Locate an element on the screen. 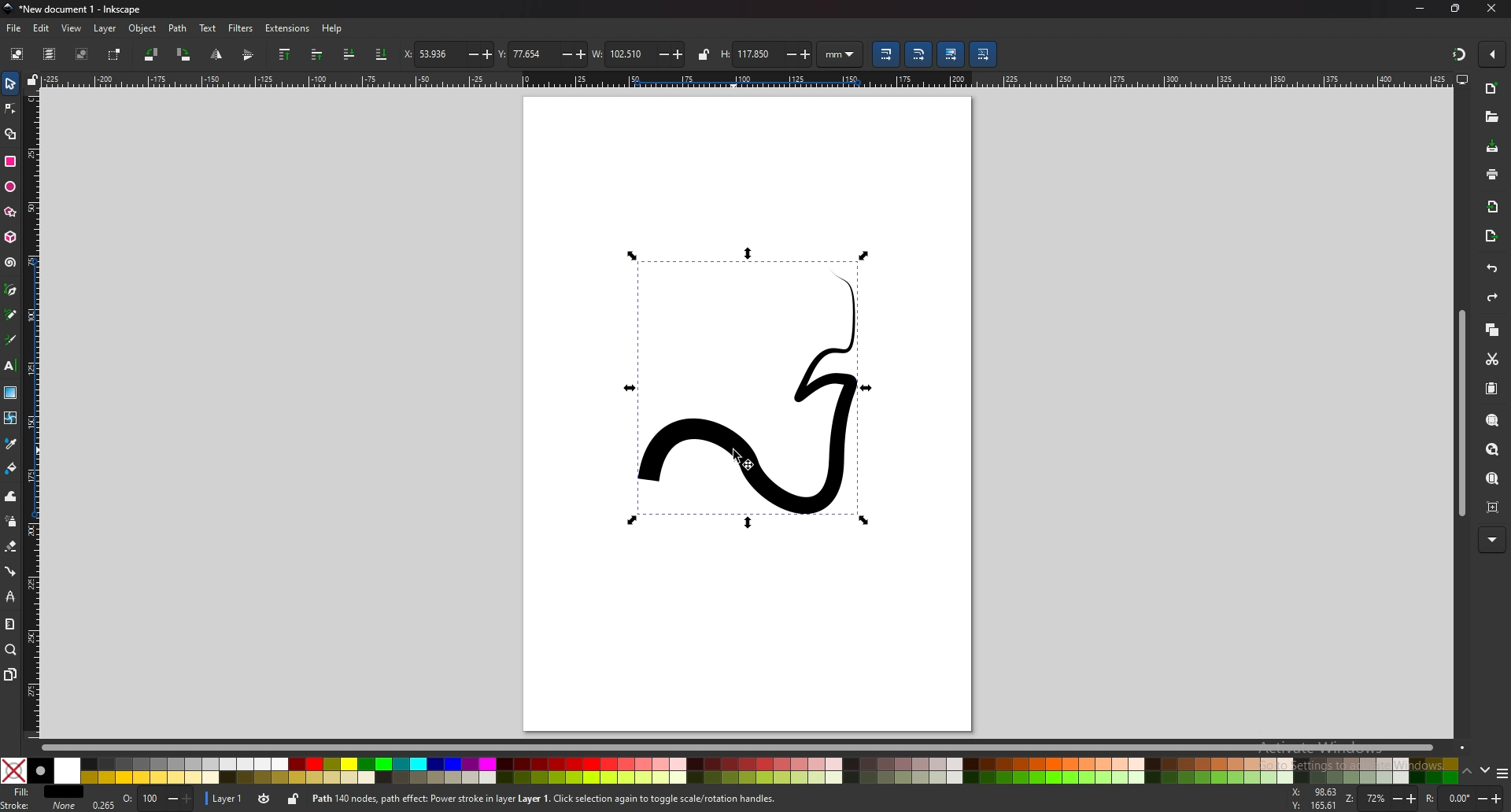 This screenshot has width=1511, height=812. paint bucket is located at coordinates (11, 467).